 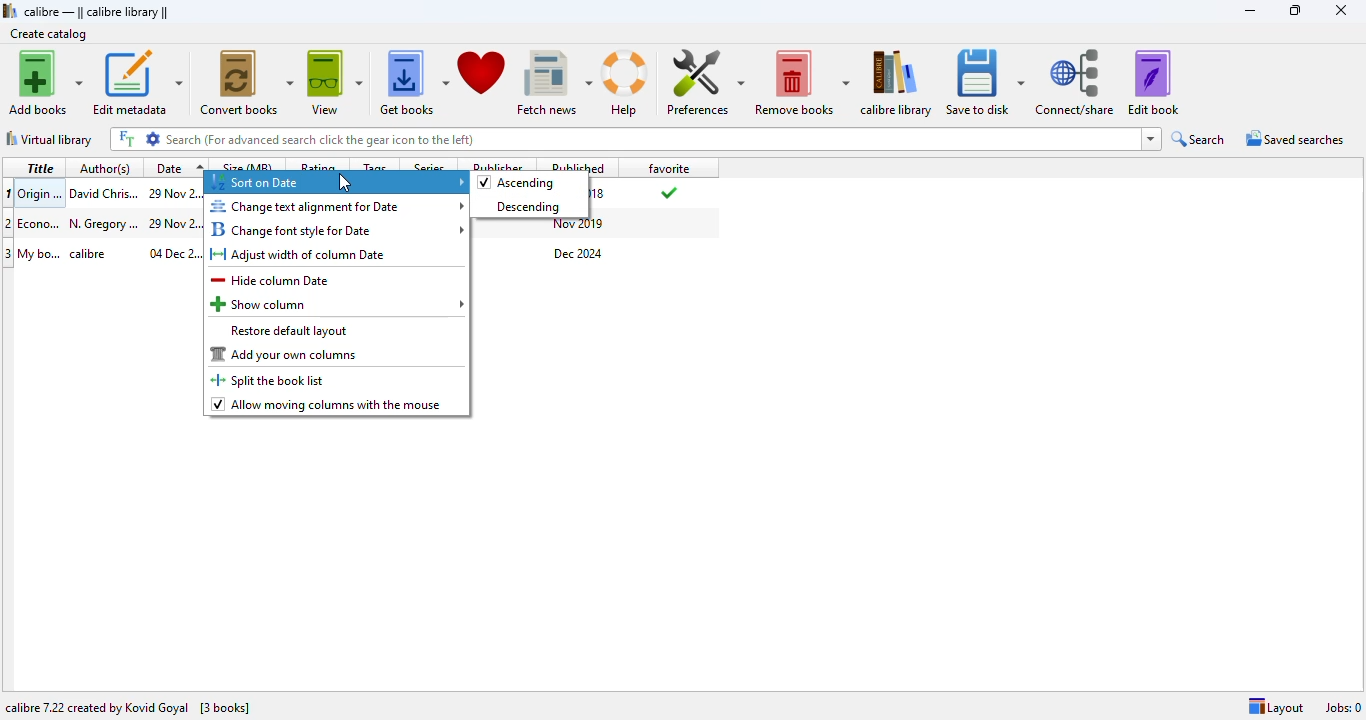 What do you see at coordinates (174, 193) in the screenshot?
I see `date` at bounding box center [174, 193].